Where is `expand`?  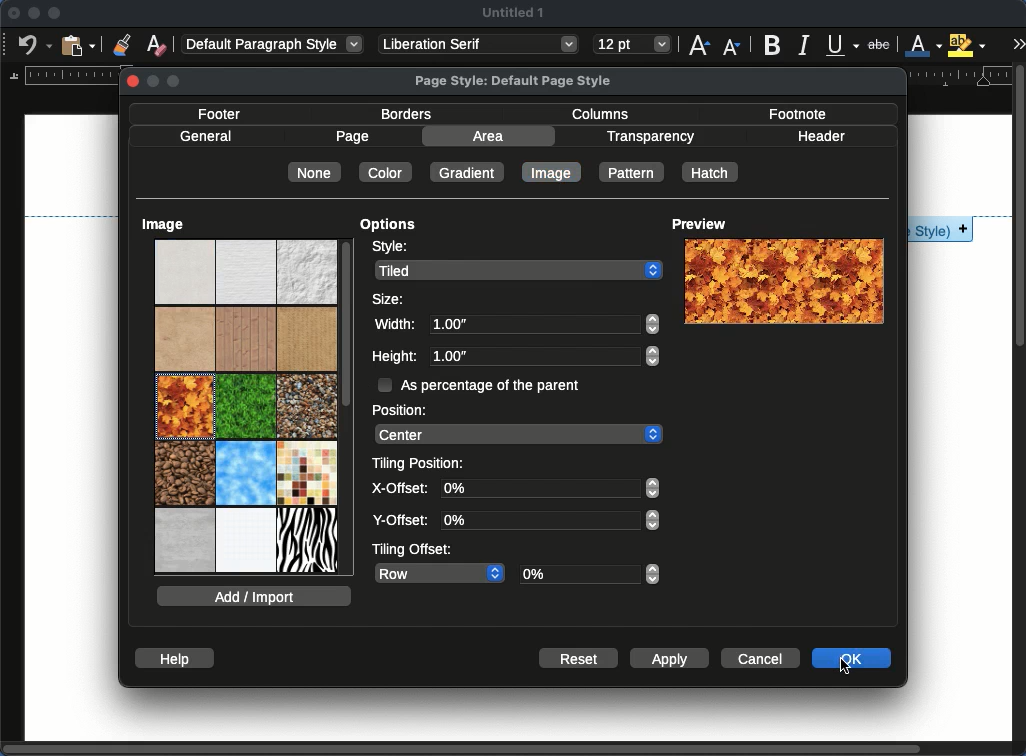
expand is located at coordinates (1018, 45).